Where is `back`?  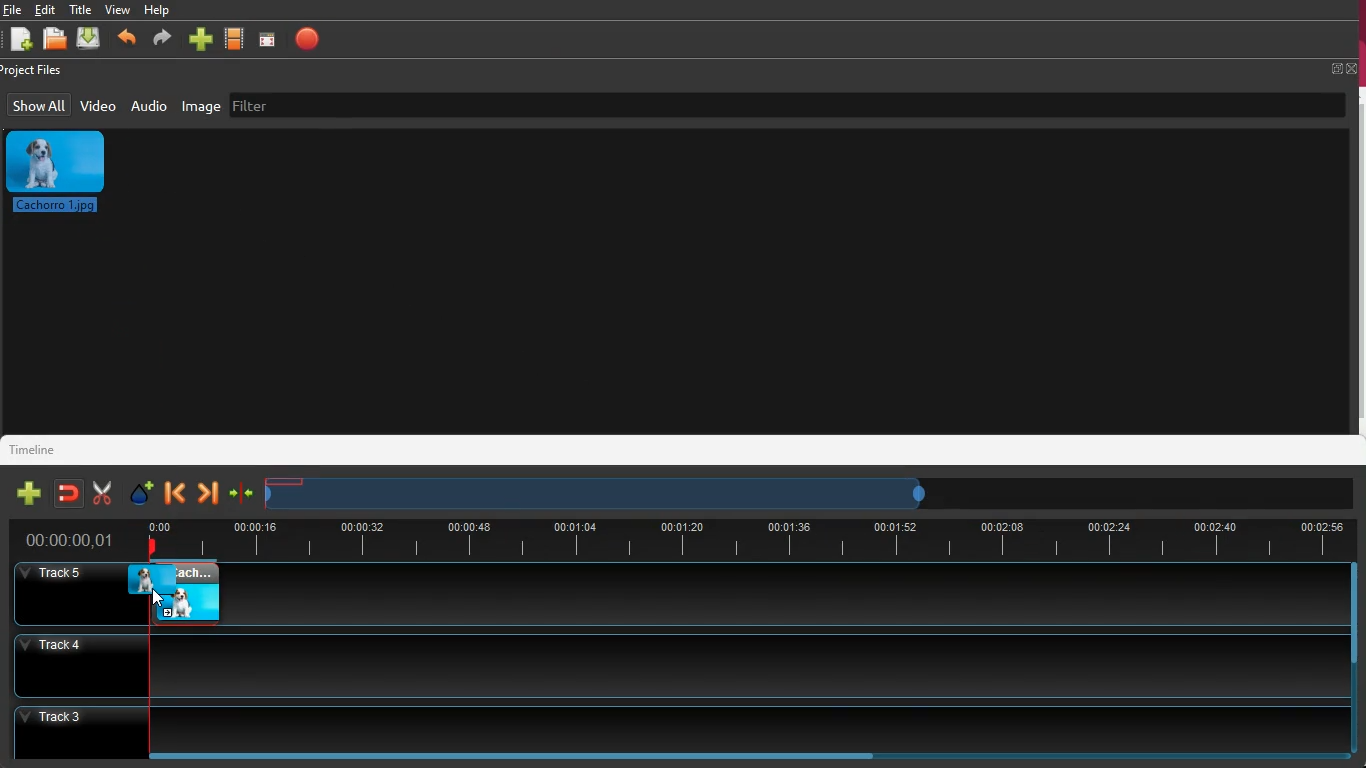
back is located at coordinates (172, 494).